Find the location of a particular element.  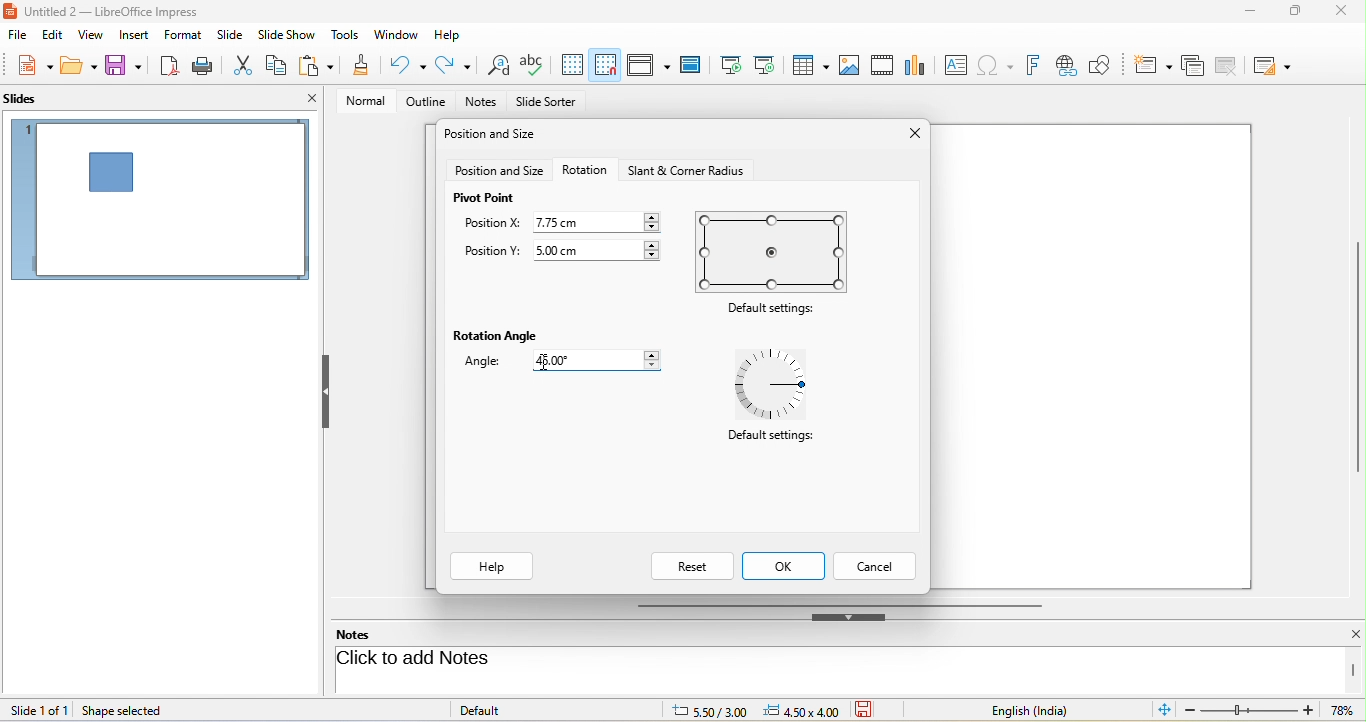

hide is located at coordinates (325, 392).